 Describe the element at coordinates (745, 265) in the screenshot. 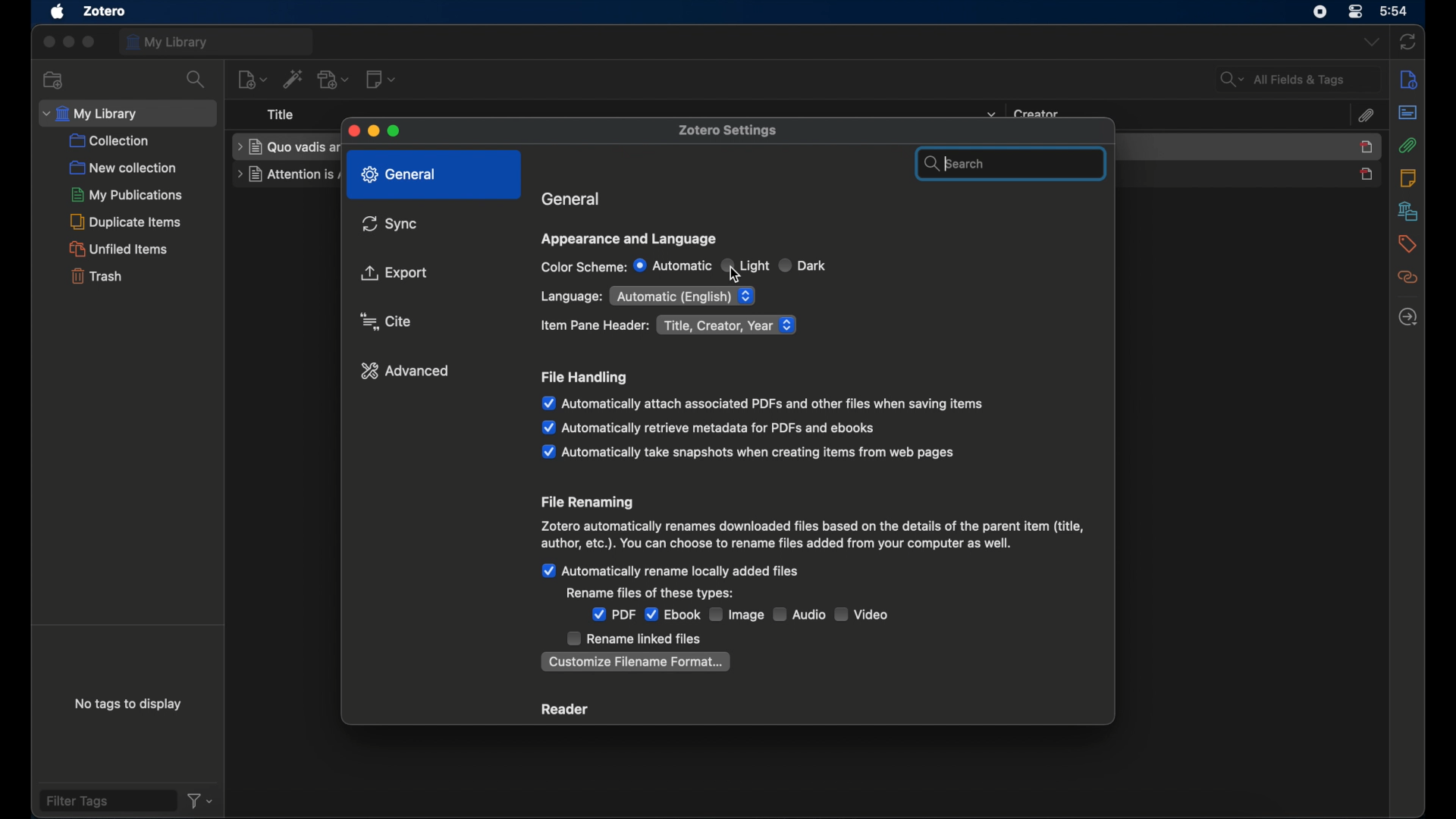

I see `light radio button` at that location.